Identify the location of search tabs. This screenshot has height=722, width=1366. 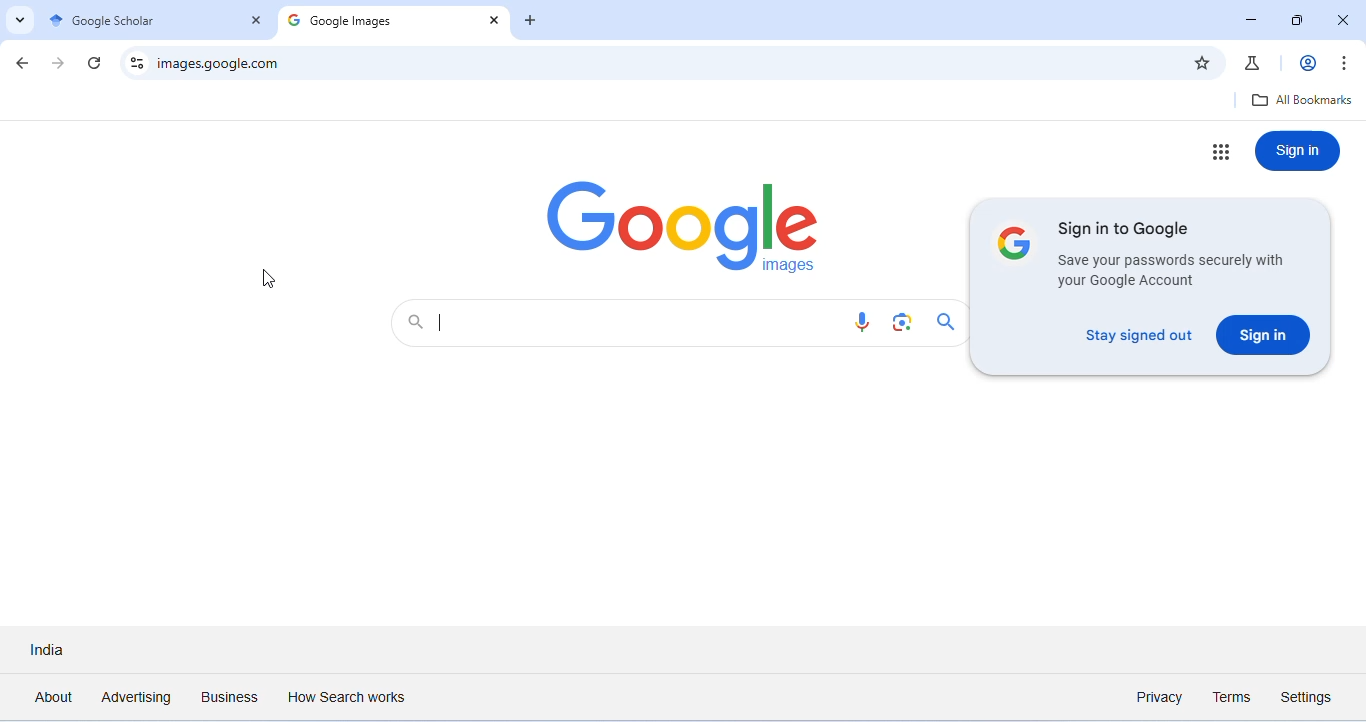
(19, 20).